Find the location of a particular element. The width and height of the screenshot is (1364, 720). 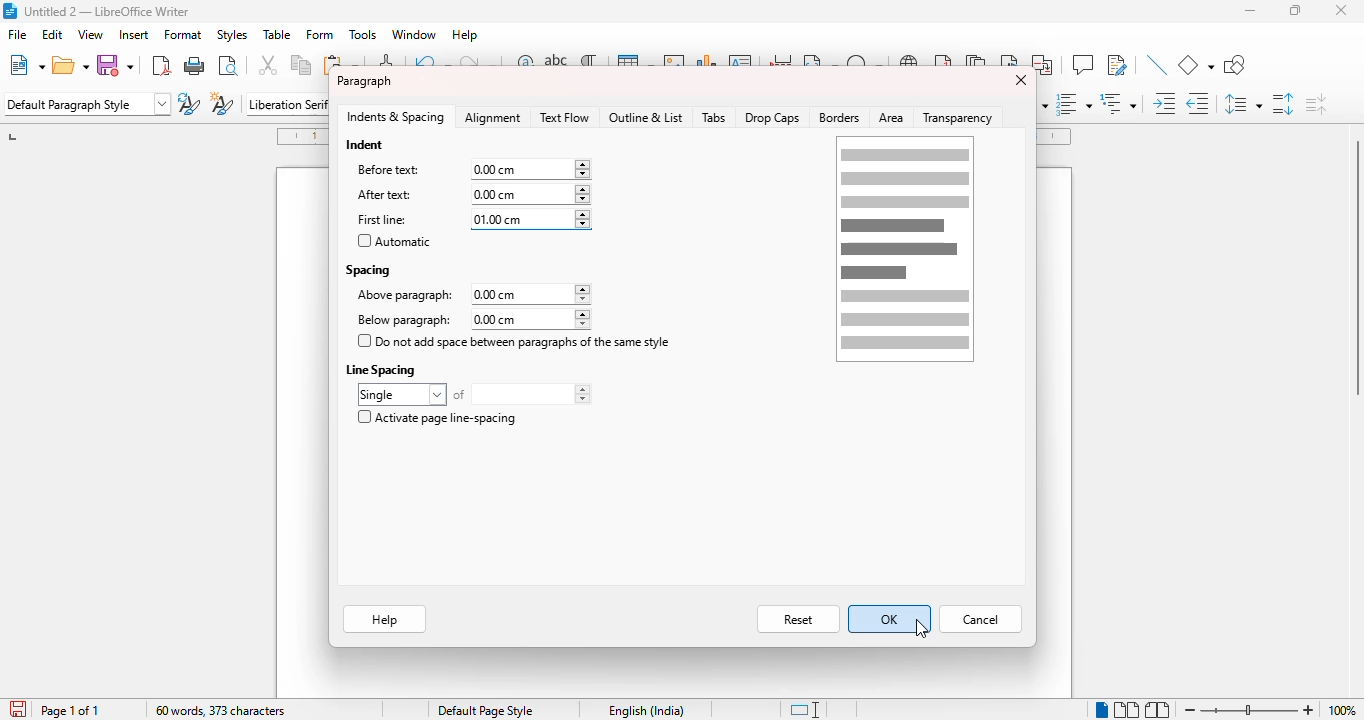

single-page view is located at coordinates (1101, 710).